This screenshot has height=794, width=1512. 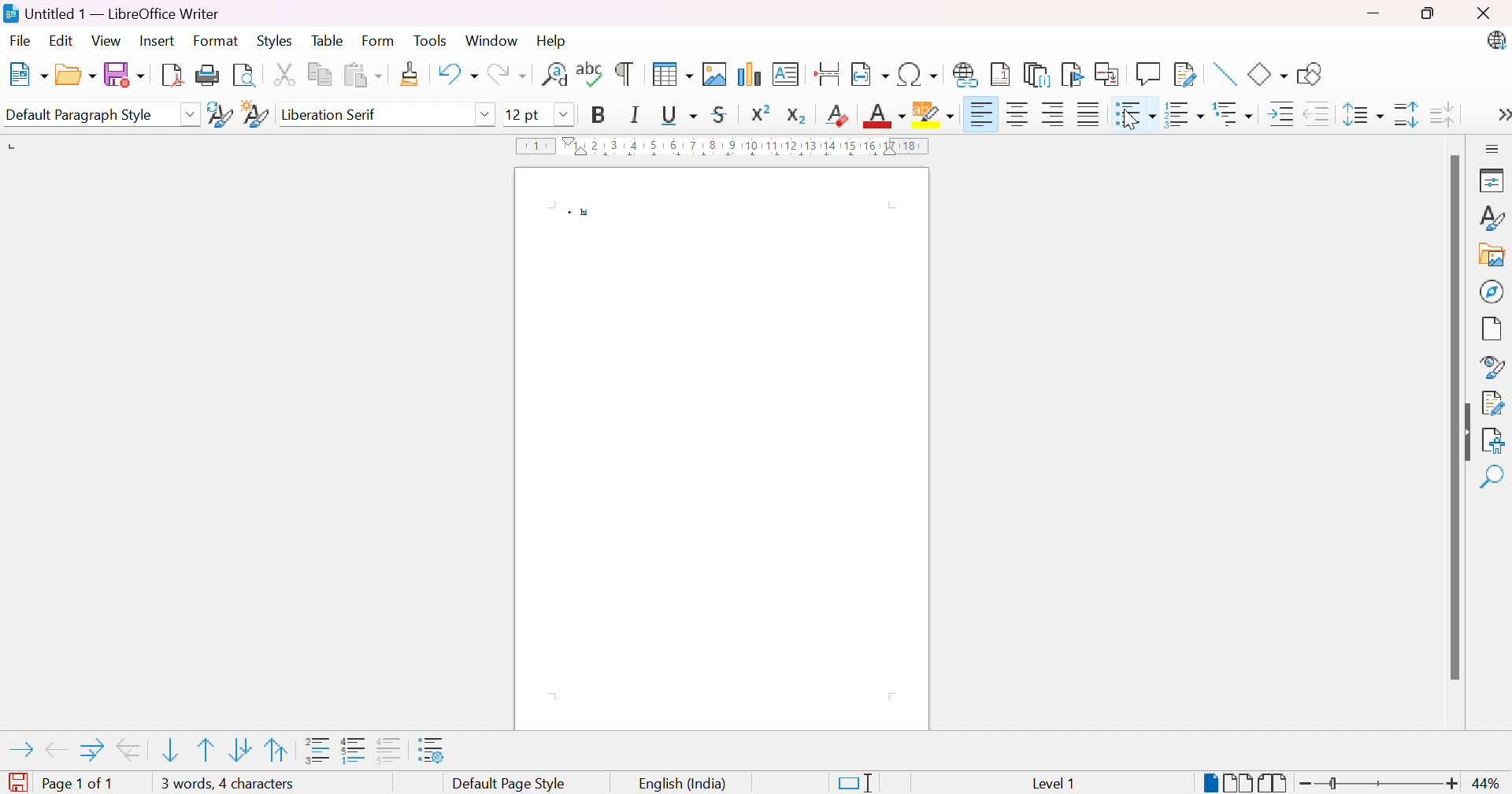 I want to click on Book view, so click(x=1273, y=784).